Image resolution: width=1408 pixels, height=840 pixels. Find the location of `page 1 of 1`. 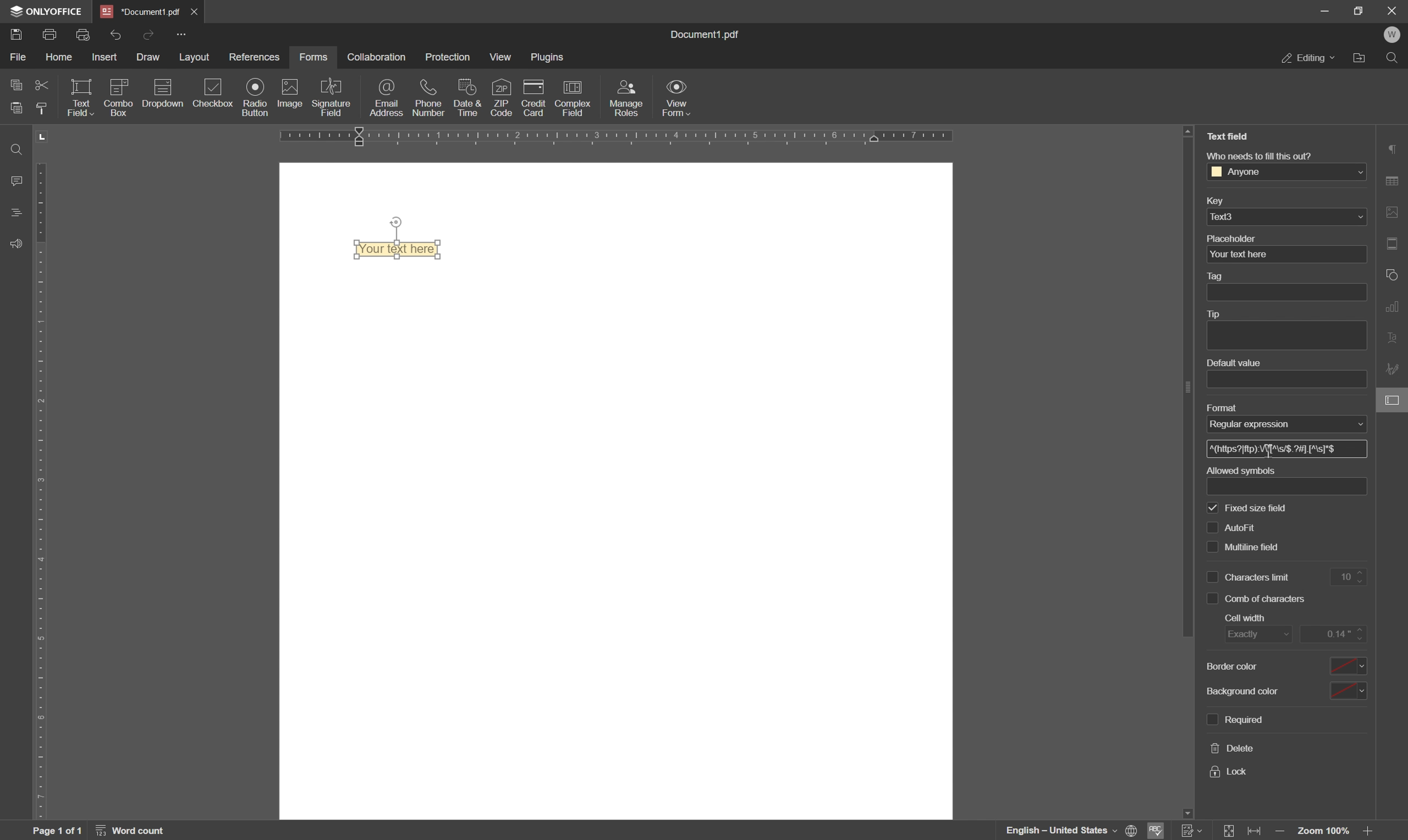

page 1 of 1 is located at coordinates (58, 831).